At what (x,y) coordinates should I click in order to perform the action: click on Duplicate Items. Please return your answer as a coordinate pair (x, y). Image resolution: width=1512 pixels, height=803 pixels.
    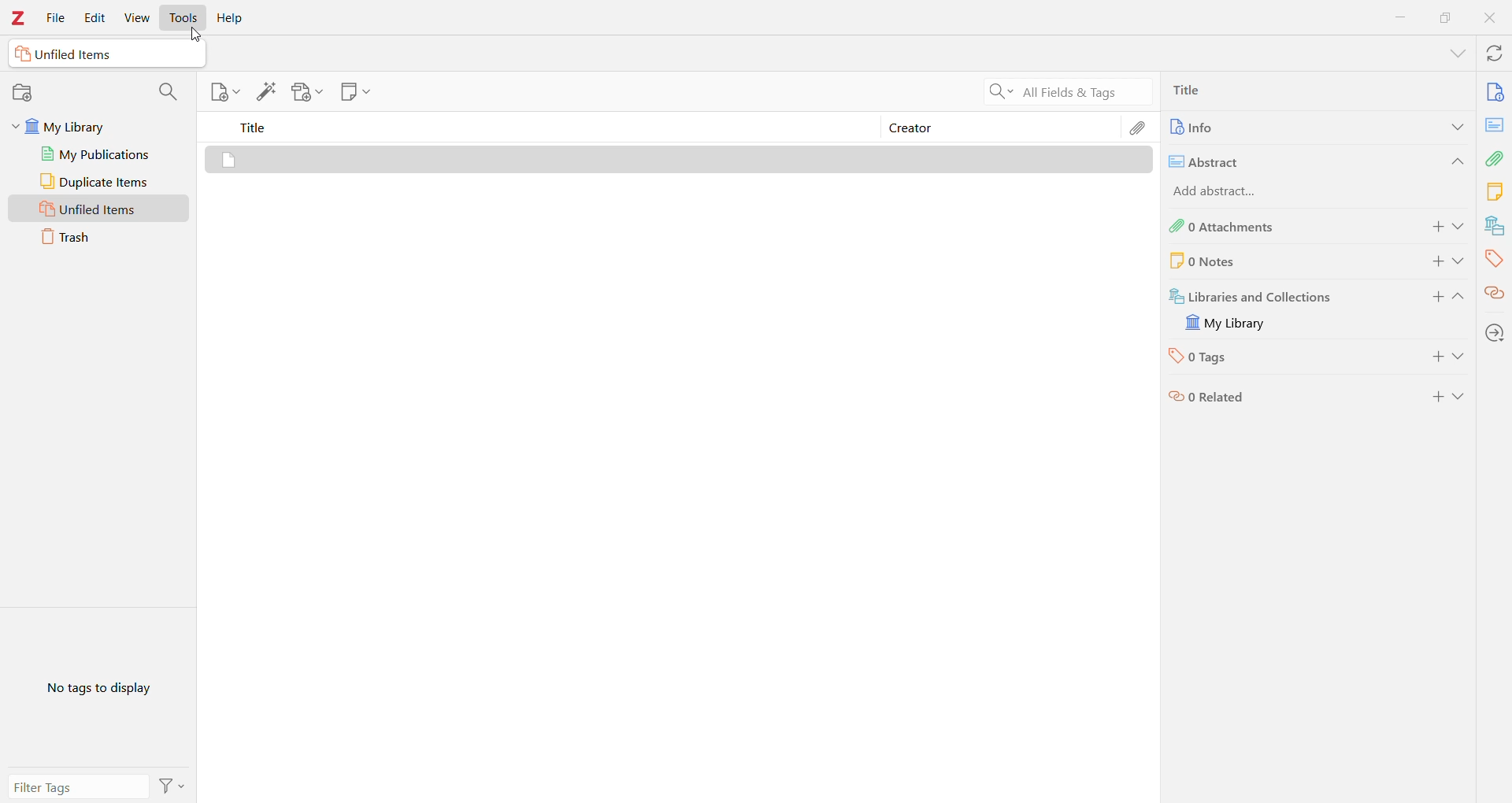
    Looking at the image, I should click on (106, 182).